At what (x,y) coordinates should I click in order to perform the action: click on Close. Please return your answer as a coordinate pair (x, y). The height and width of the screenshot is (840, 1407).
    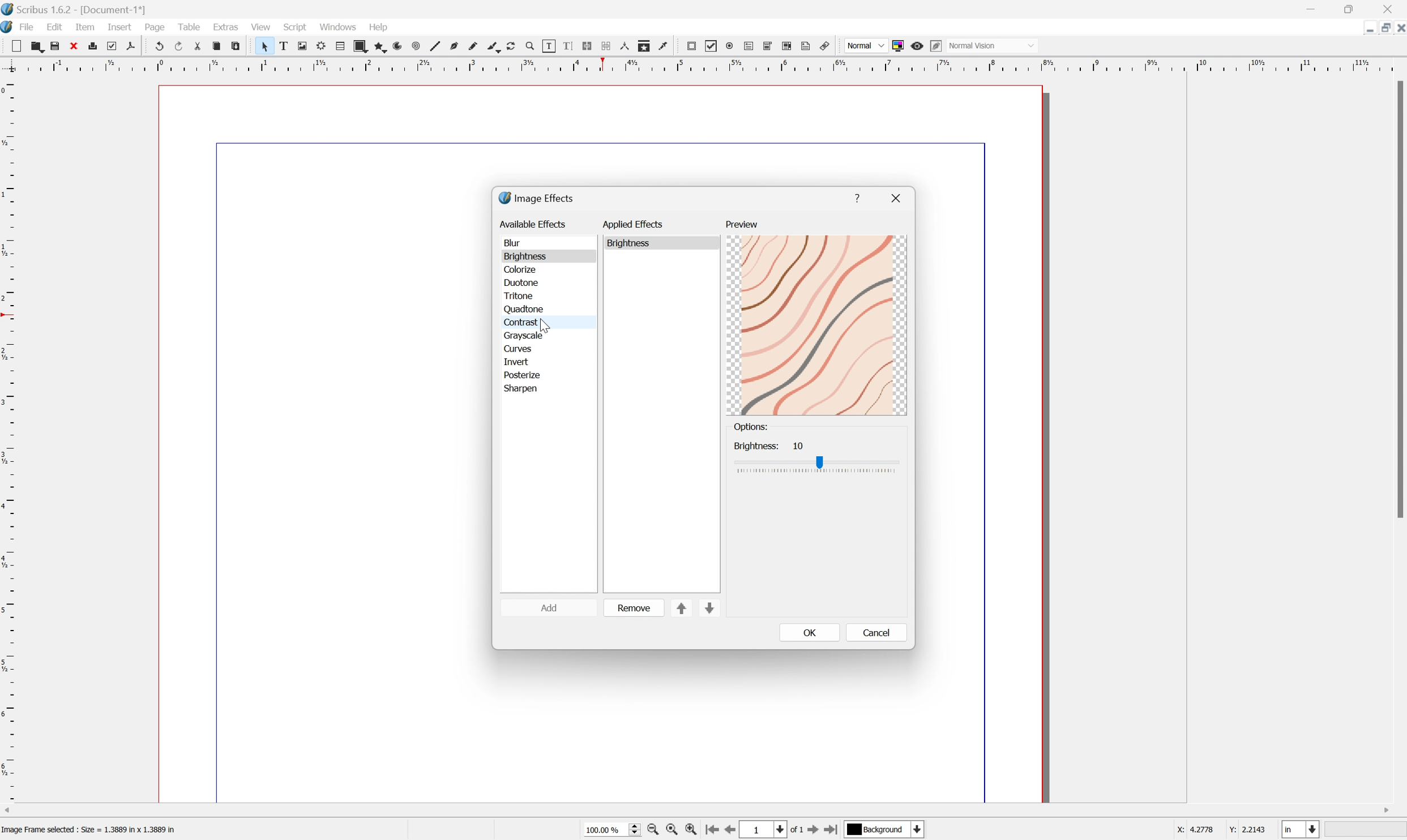
    Looking at the image, I should click on (1398, 29).